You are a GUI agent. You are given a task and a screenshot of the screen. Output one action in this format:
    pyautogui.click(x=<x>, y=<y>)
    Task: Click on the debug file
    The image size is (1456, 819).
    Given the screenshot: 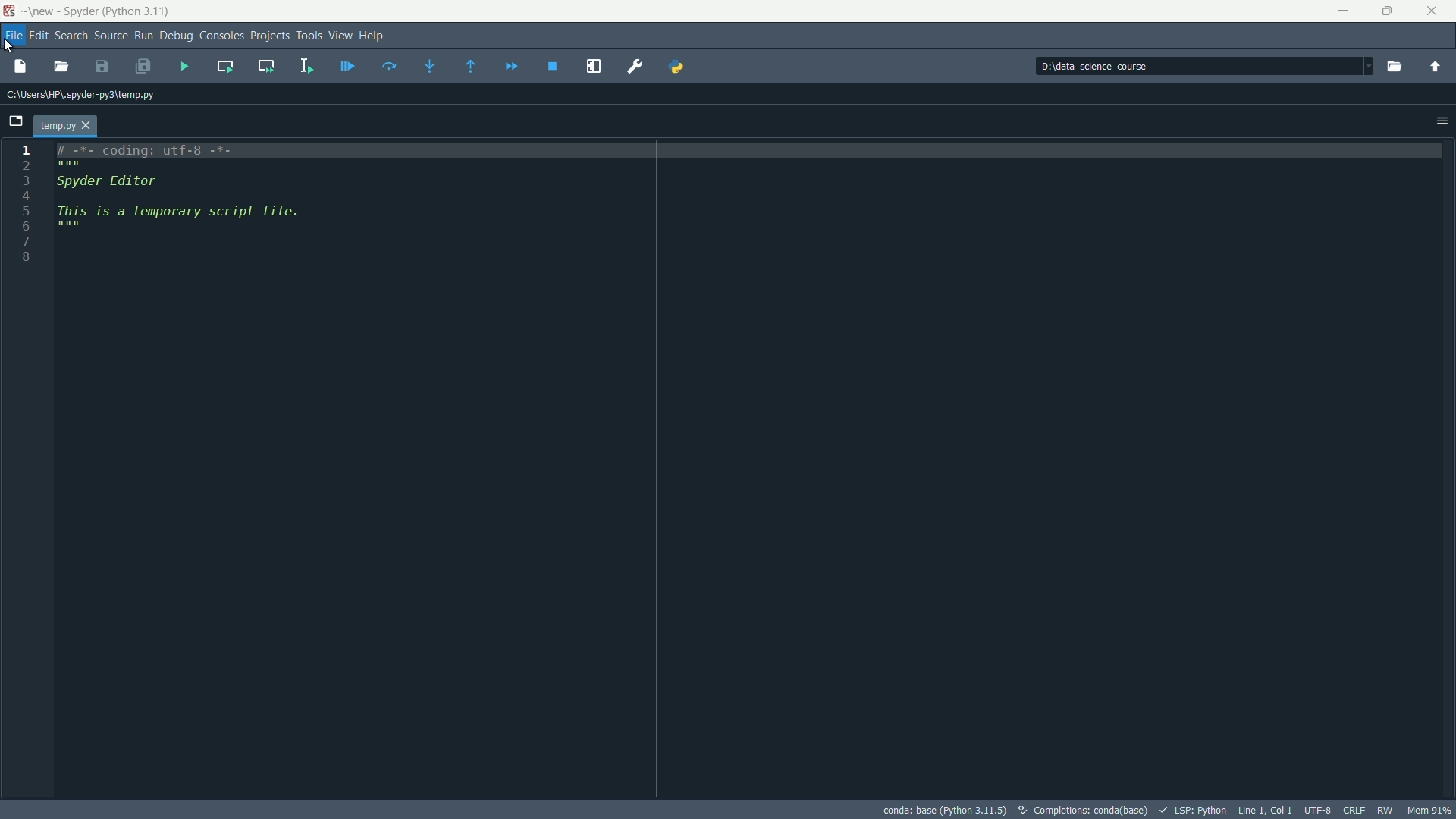 What is the action you would take?
    pyautogui.click(x=348, y=67)
    